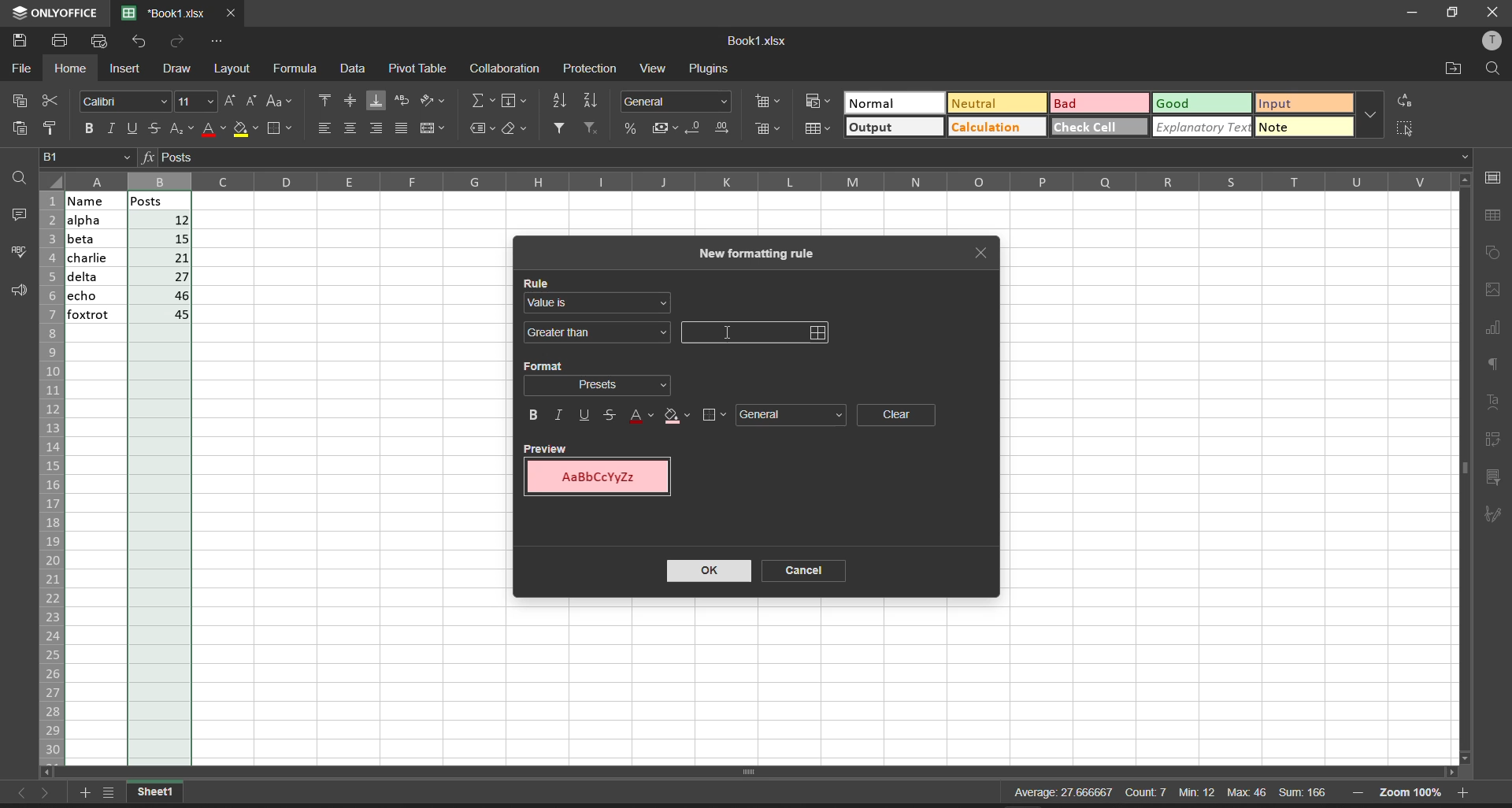 The width and height of the screenshot is (1512, 808). Describe the element at coordinates (232, 12) in the screenshot. I see `close tab` at that location.